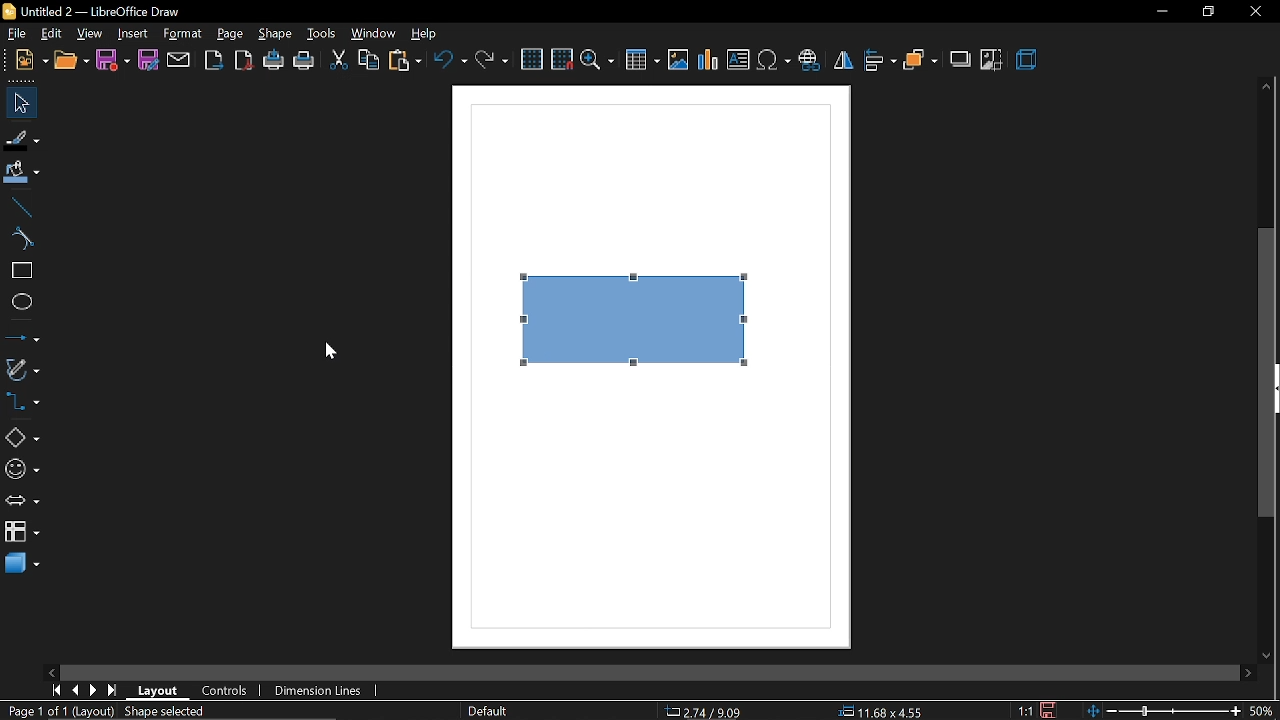 The image size is (1280, 720). What do you see at coordinates (323, 689) in the screenshot?
I see `dimension lines` at bounding box center [323, 689].